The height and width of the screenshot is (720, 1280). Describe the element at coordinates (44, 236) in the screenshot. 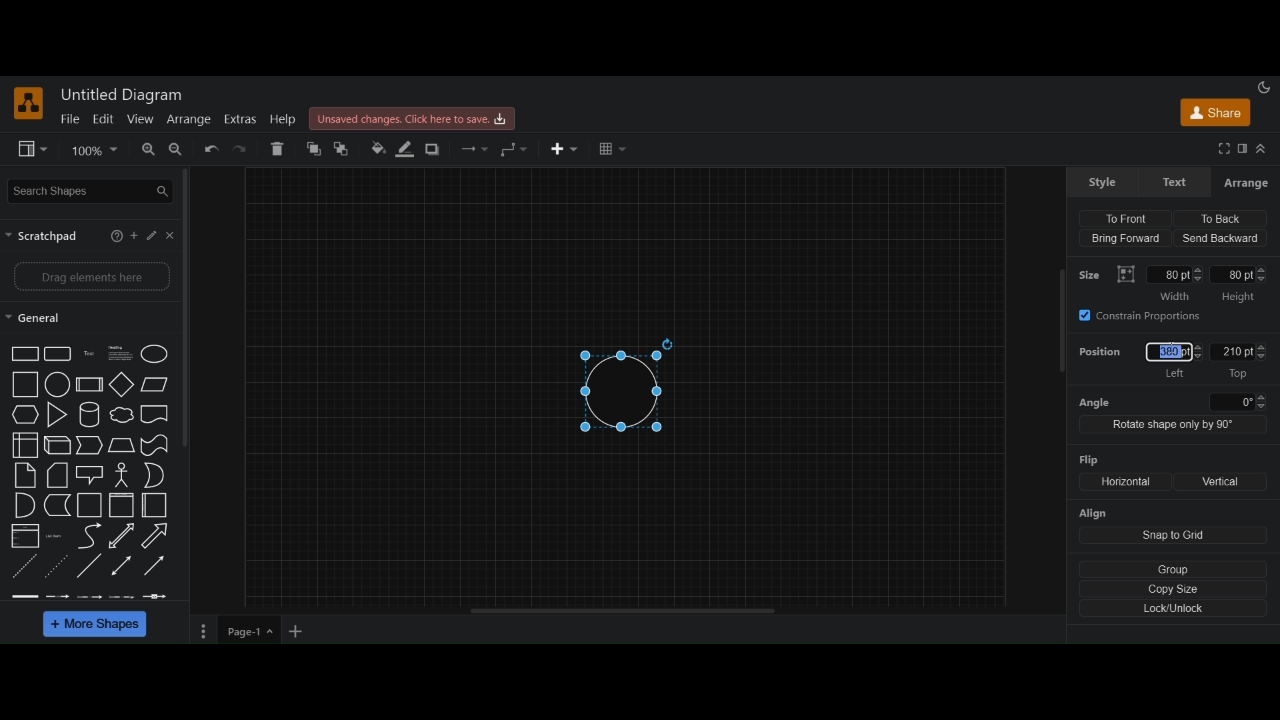

I see `scratchpad` at that location.